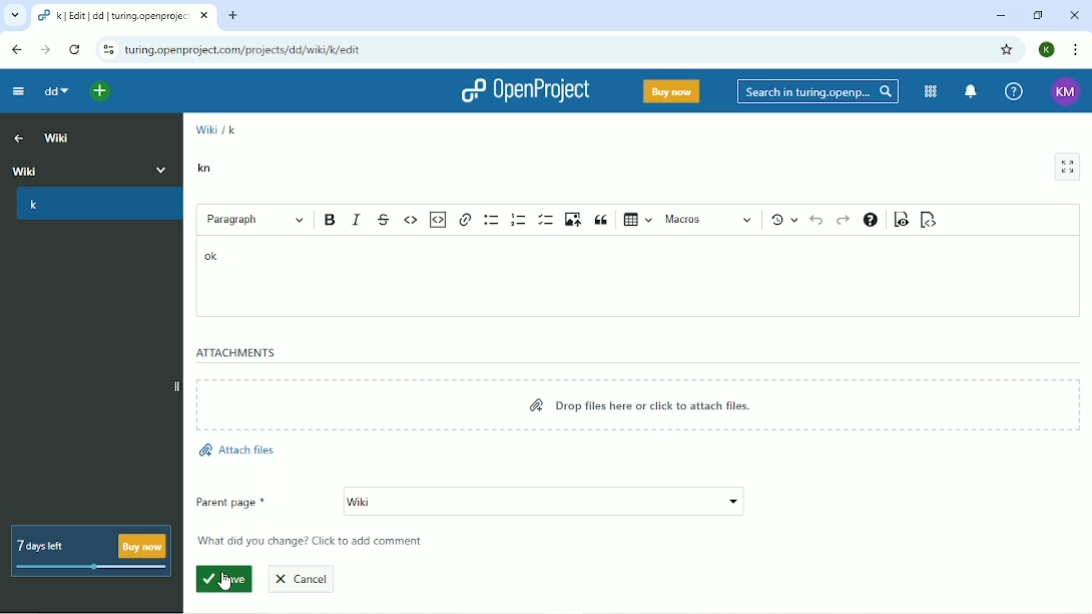 The image size is (1092, 614). What do you see at coordinates (205, 127) in the screenshot?
I see `Wiki` at bounding box center [205, 127].